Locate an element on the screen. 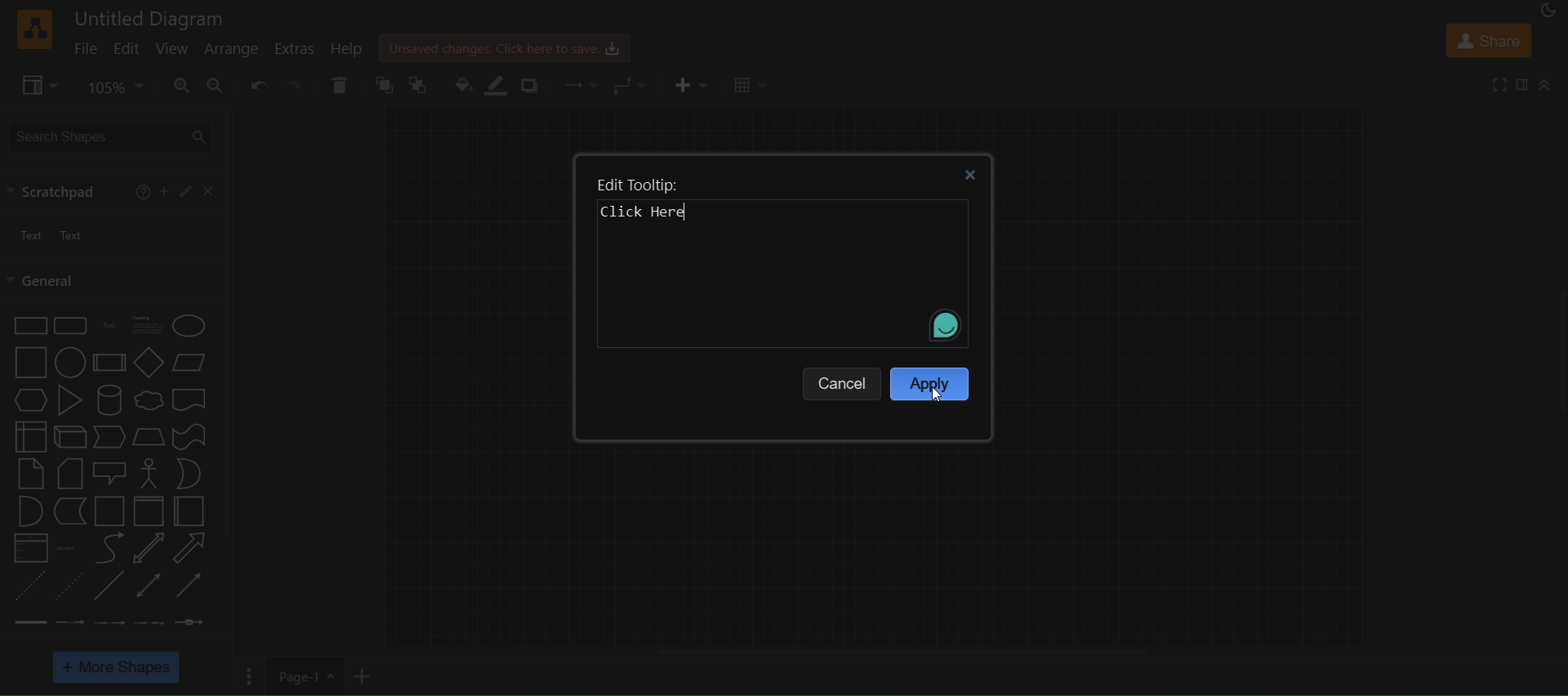 The image size is (1568, 696). card is located at coordinates (66, 474).